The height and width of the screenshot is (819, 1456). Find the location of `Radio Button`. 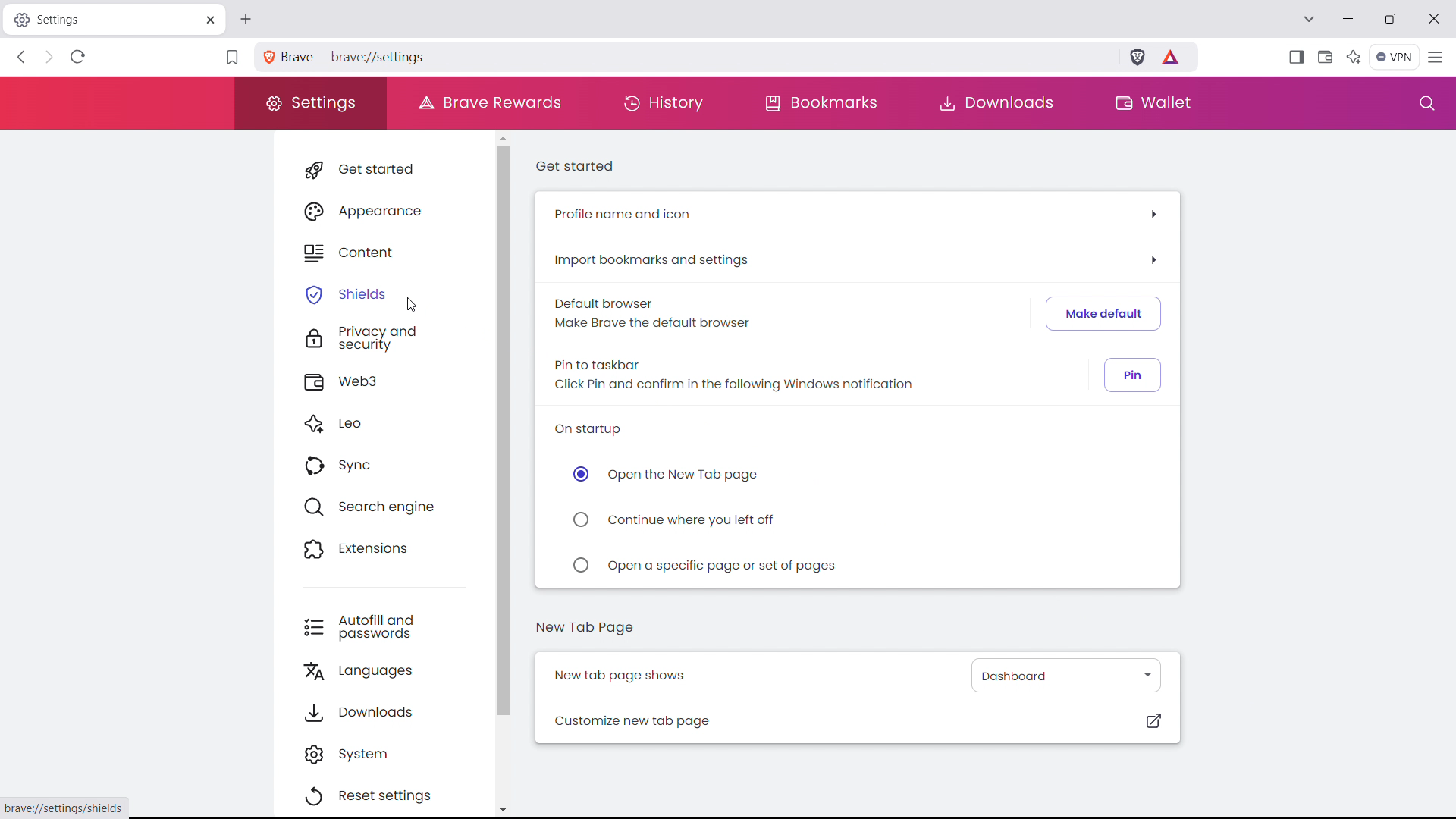

Radio Button is located at coordinates (582, 517).